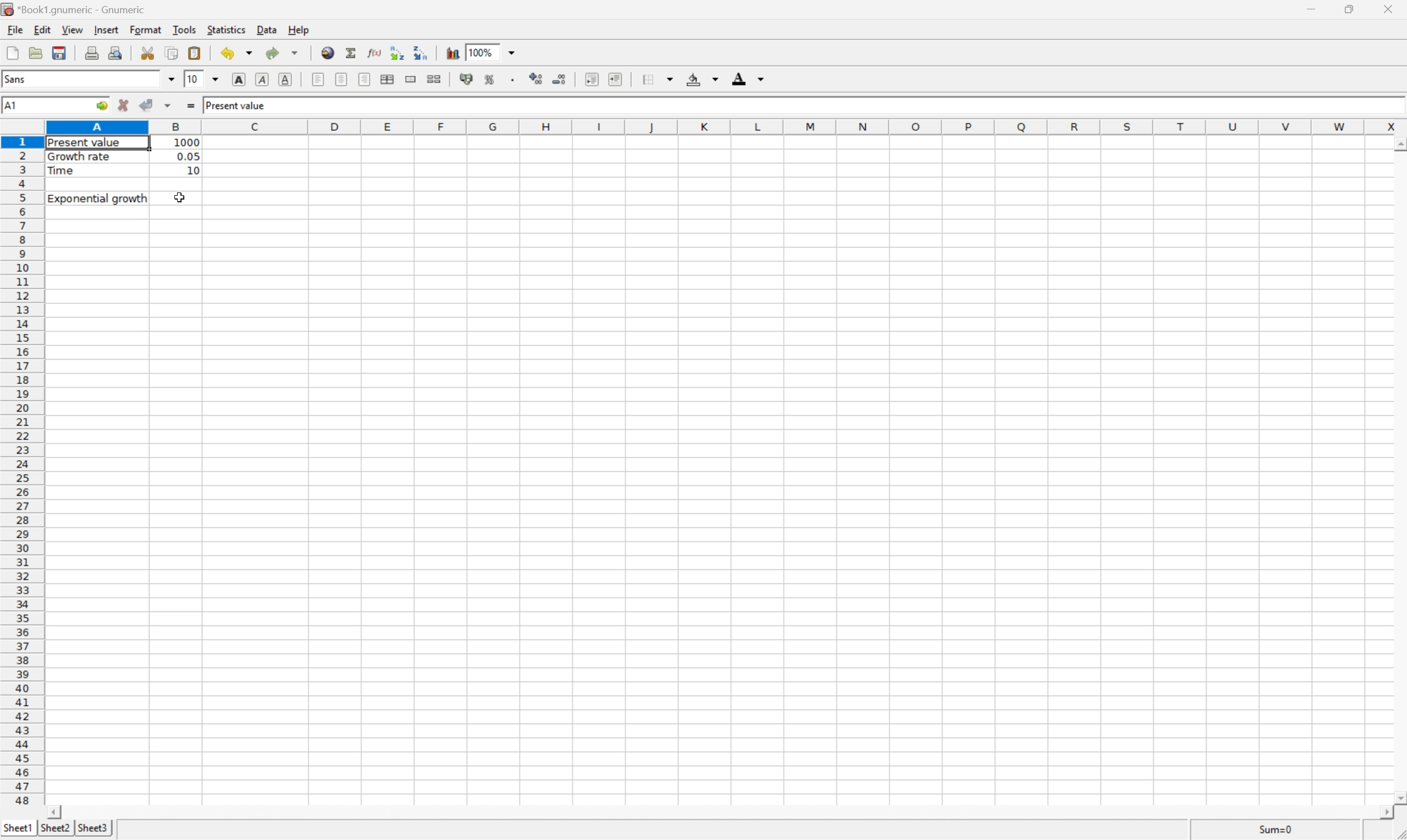  What do you see at coordinates (43, 29) in the screenshot?
I see `Edit` at bounding box center [43, 29].